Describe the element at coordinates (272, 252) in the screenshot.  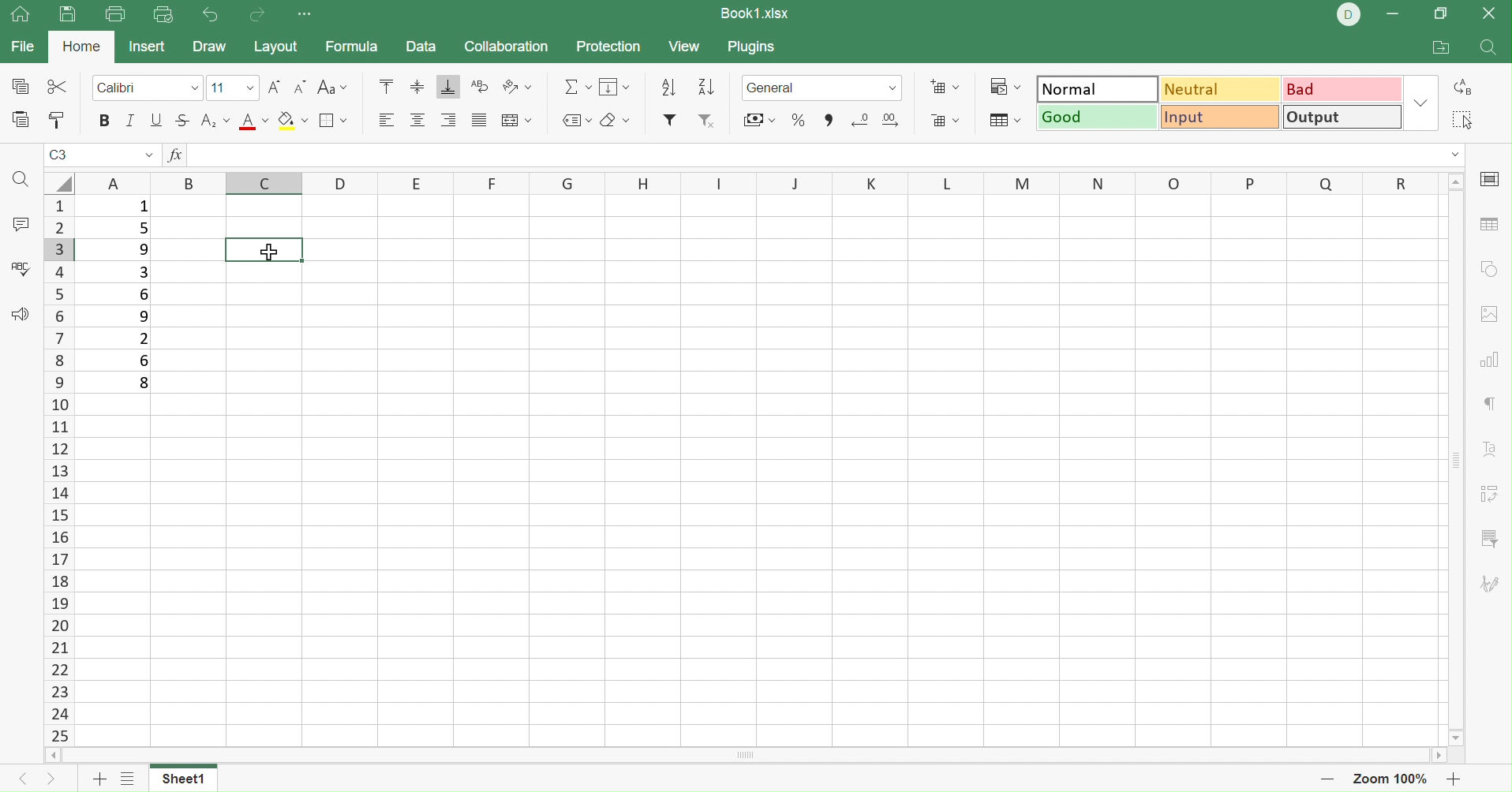
I see `Cursor` at that location.